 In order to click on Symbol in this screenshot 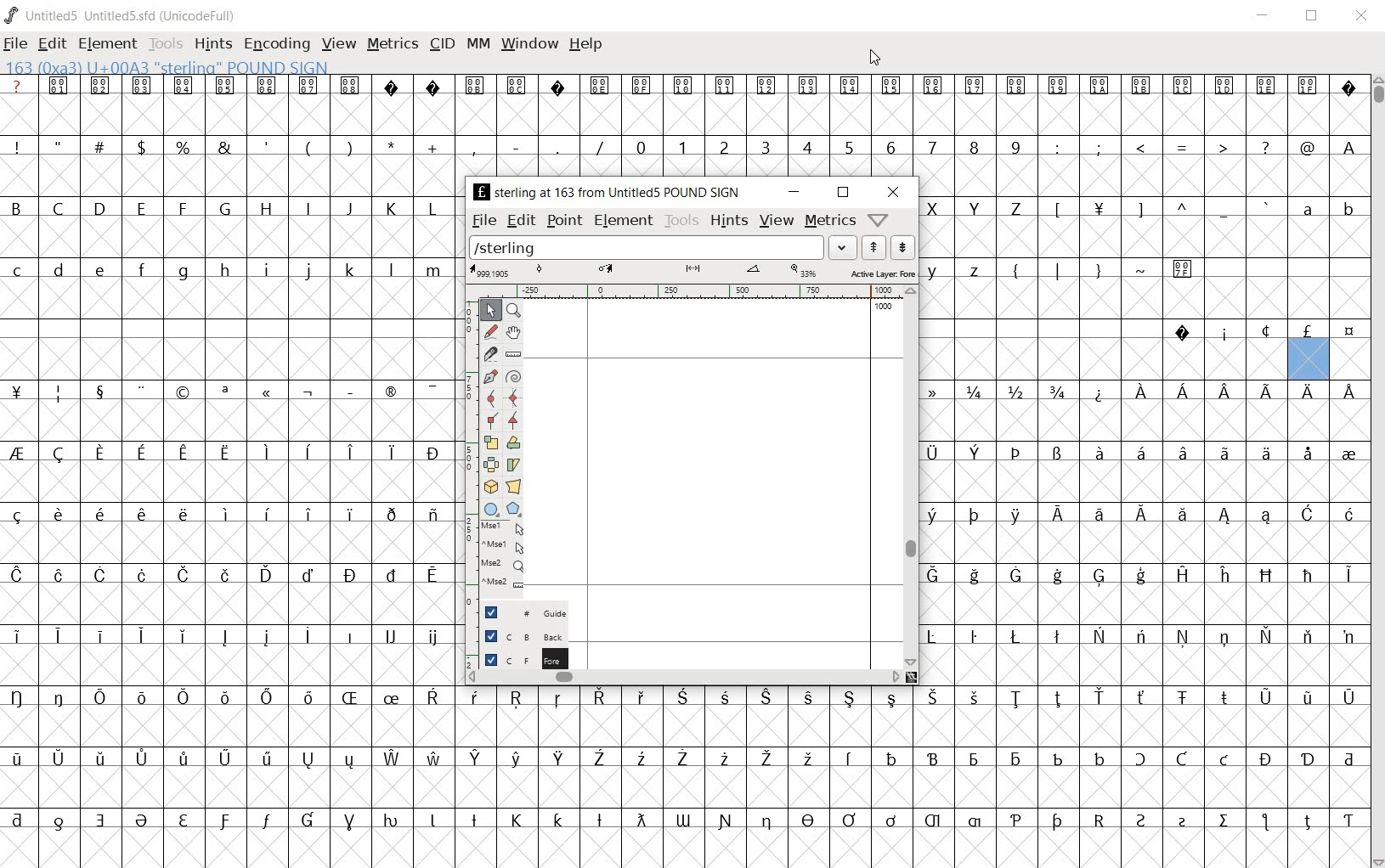, I will do `click(940, 391)`.